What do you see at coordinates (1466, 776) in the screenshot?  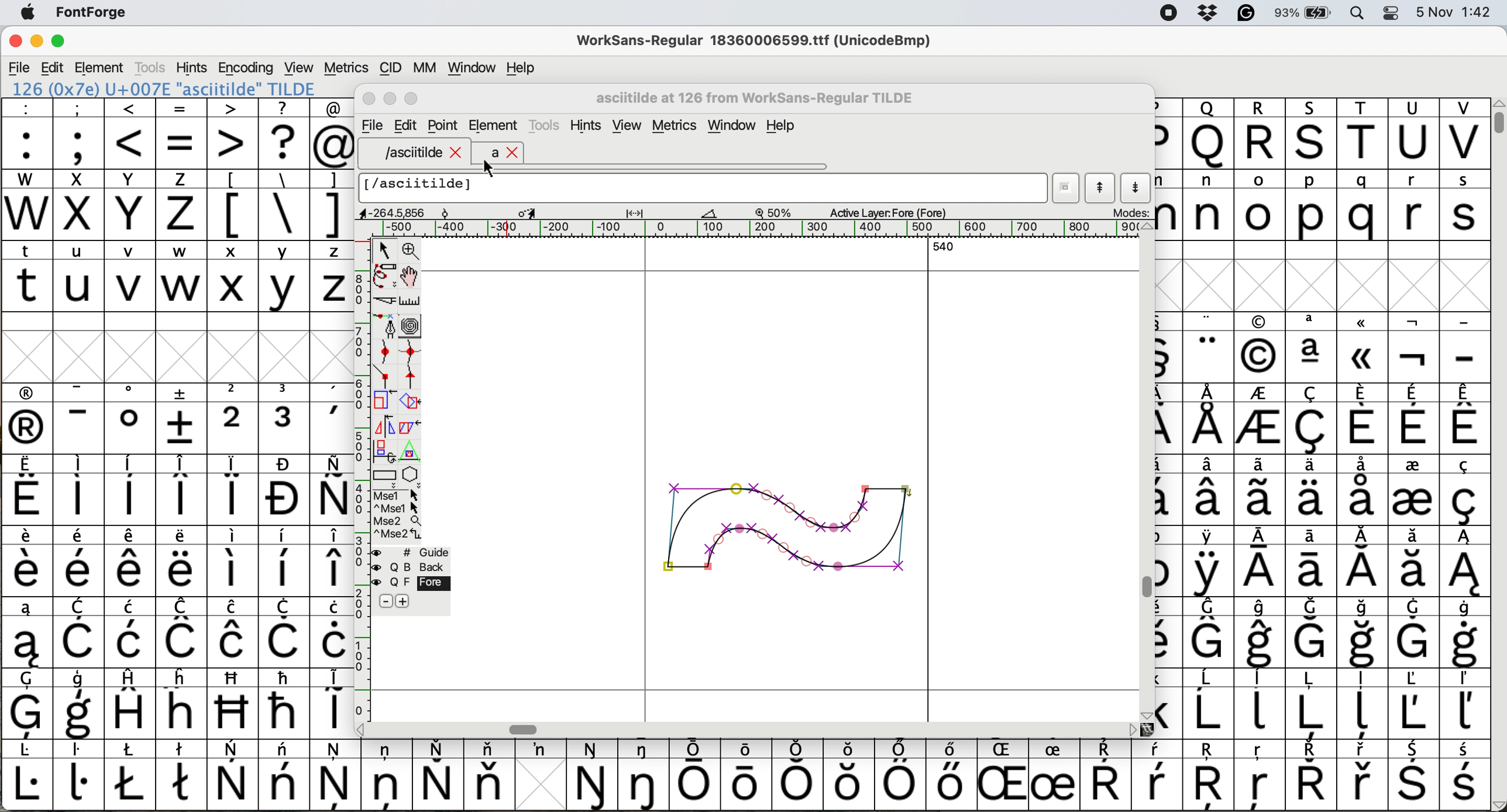 I see `symbol` at bounding box center [1466, 776].